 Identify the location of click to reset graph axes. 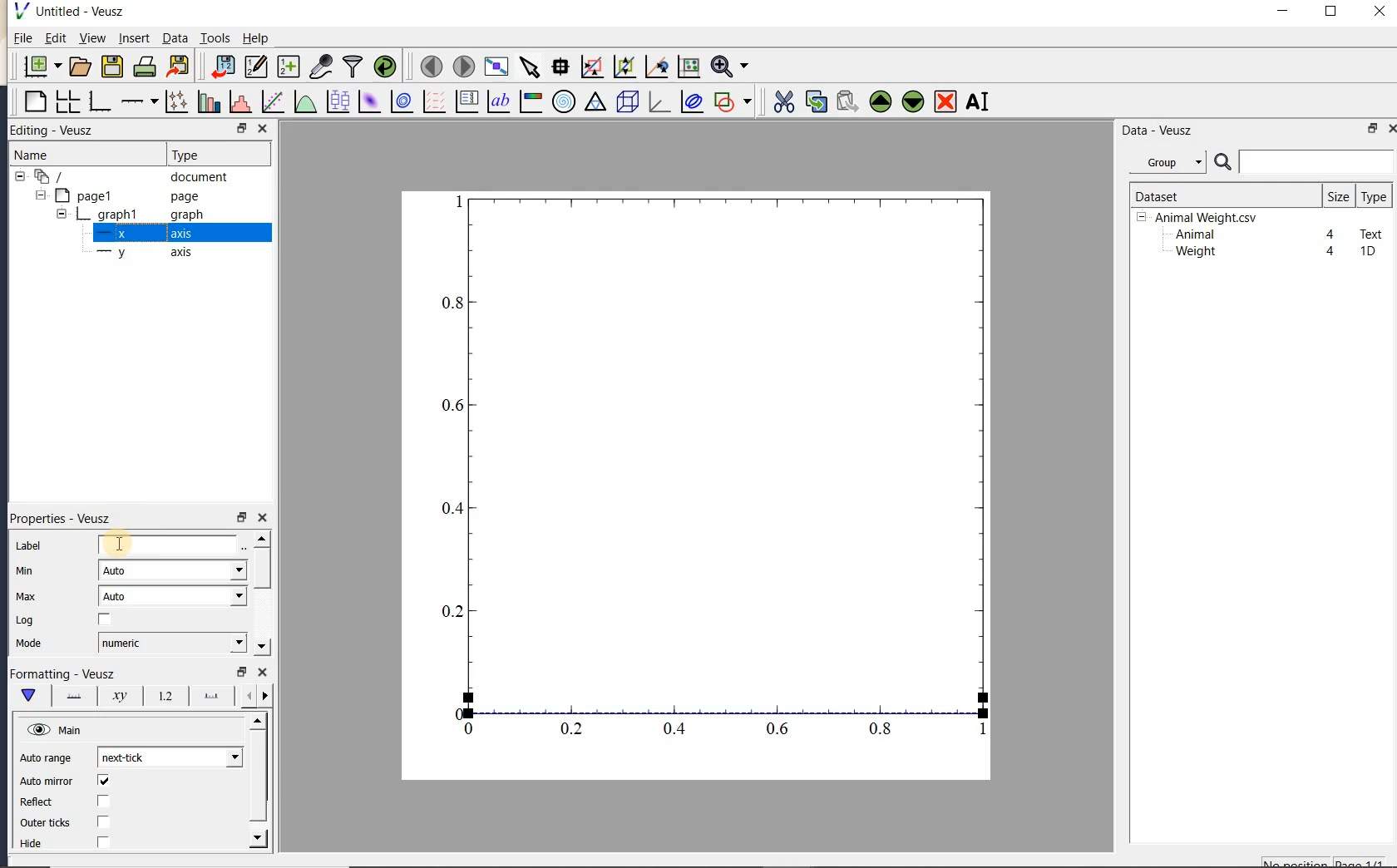
(689, 67).